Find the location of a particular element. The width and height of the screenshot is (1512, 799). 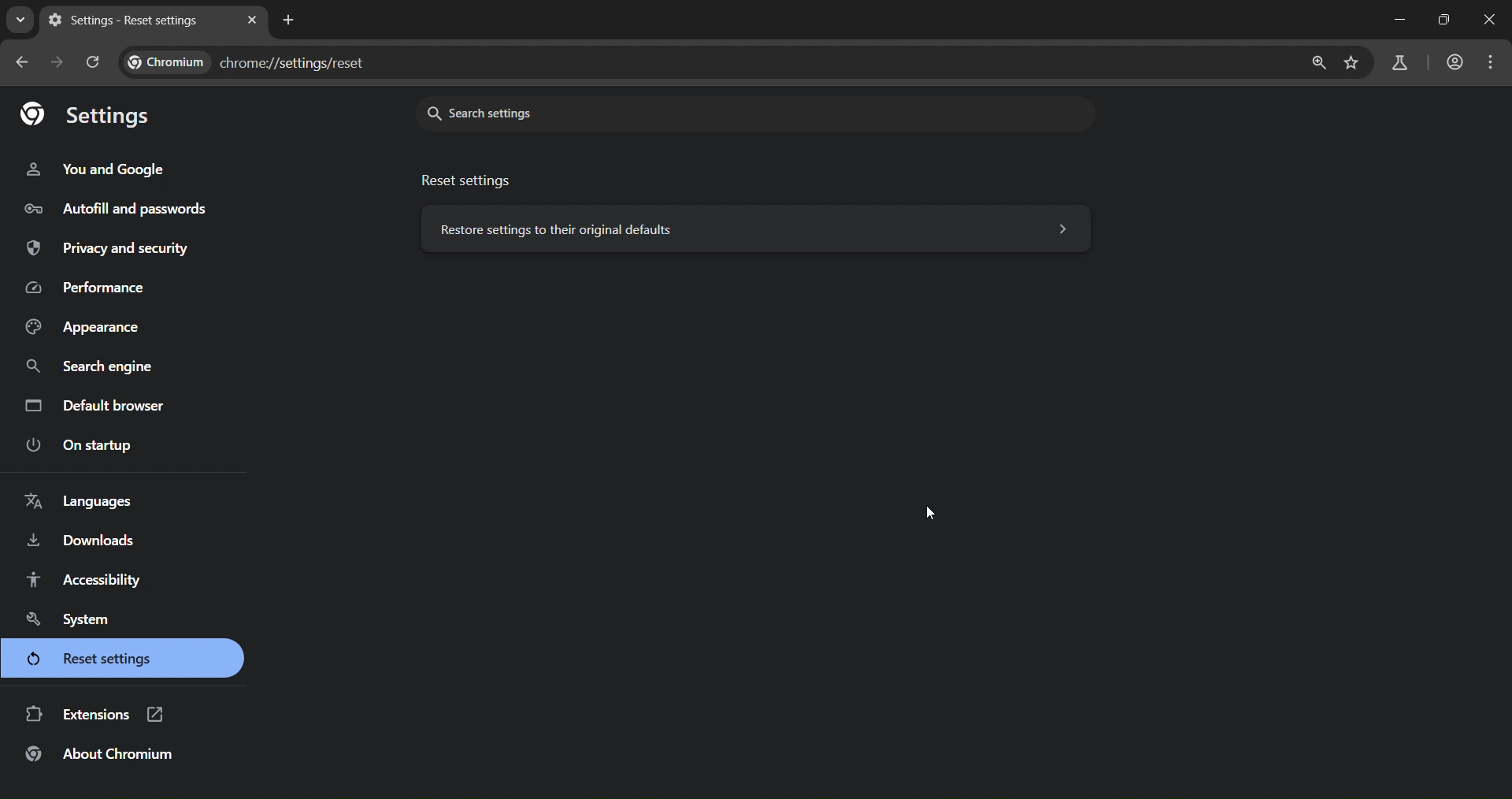

search labs is located at coordinates (1395, 63).